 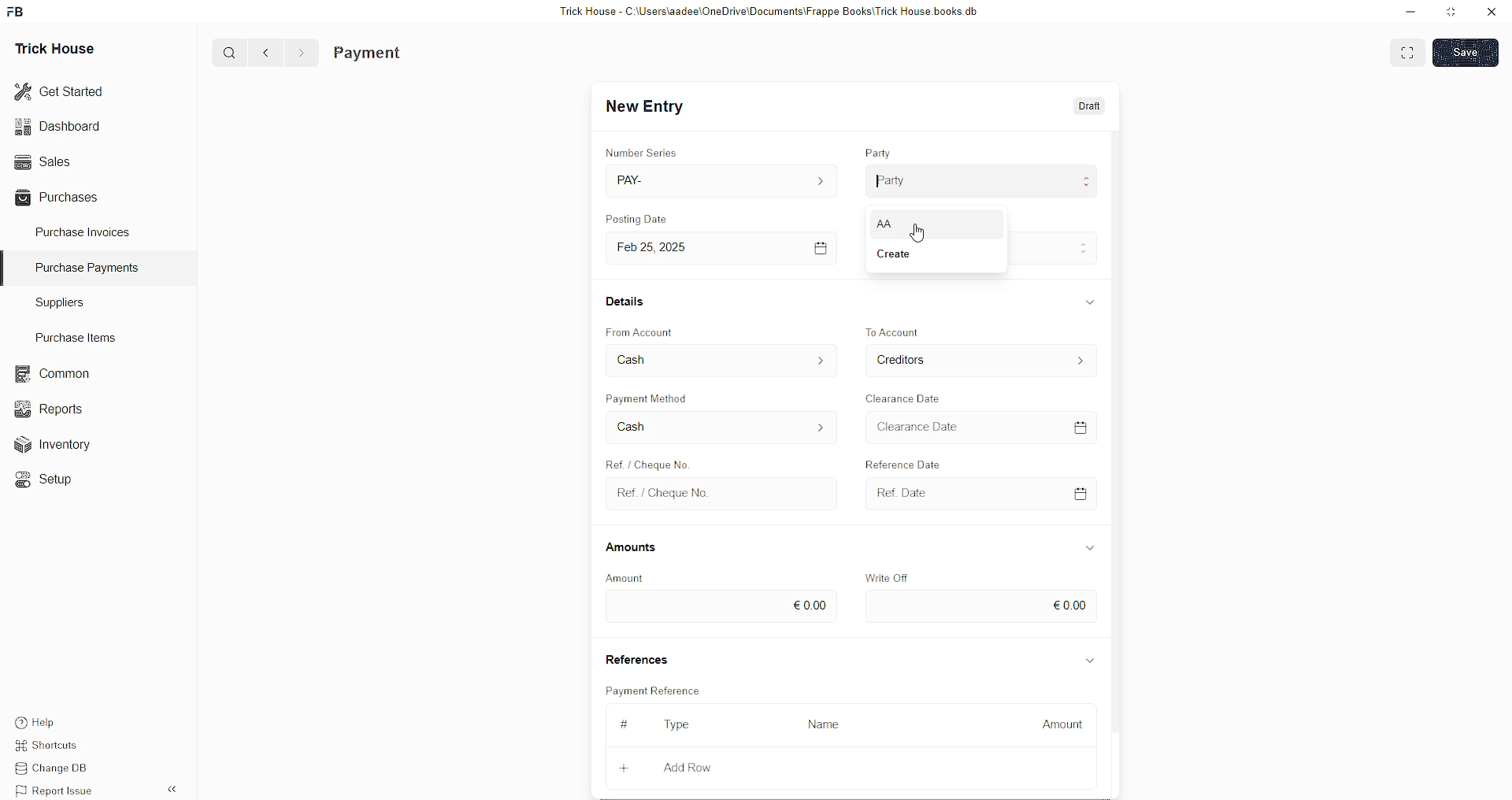 I want to click on cursor, so click(x=923, y=238).